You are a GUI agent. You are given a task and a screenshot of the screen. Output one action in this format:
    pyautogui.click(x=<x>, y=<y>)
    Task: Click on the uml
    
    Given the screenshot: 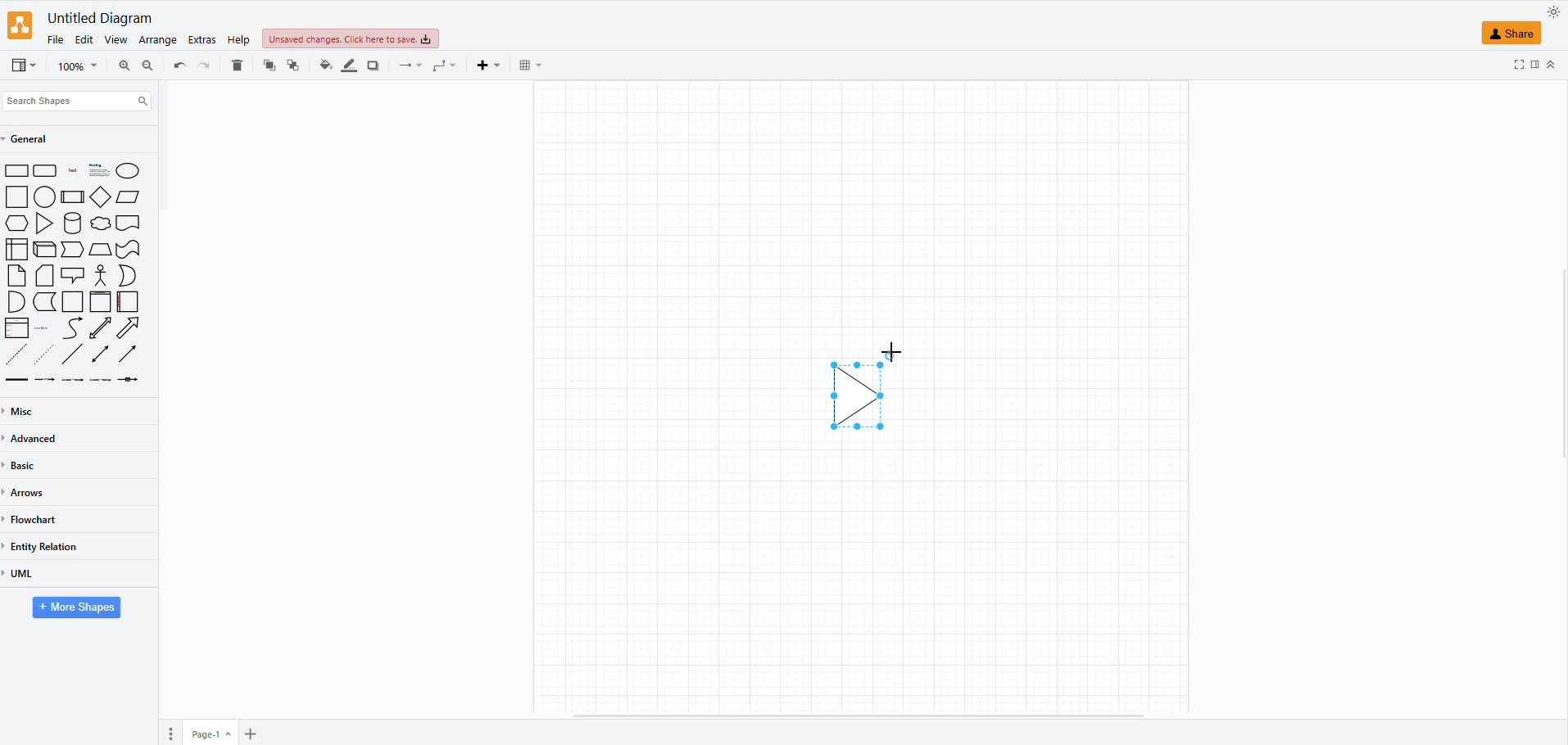 What is the action you would take?
    pyautogui.click(x=25, y=574)
    